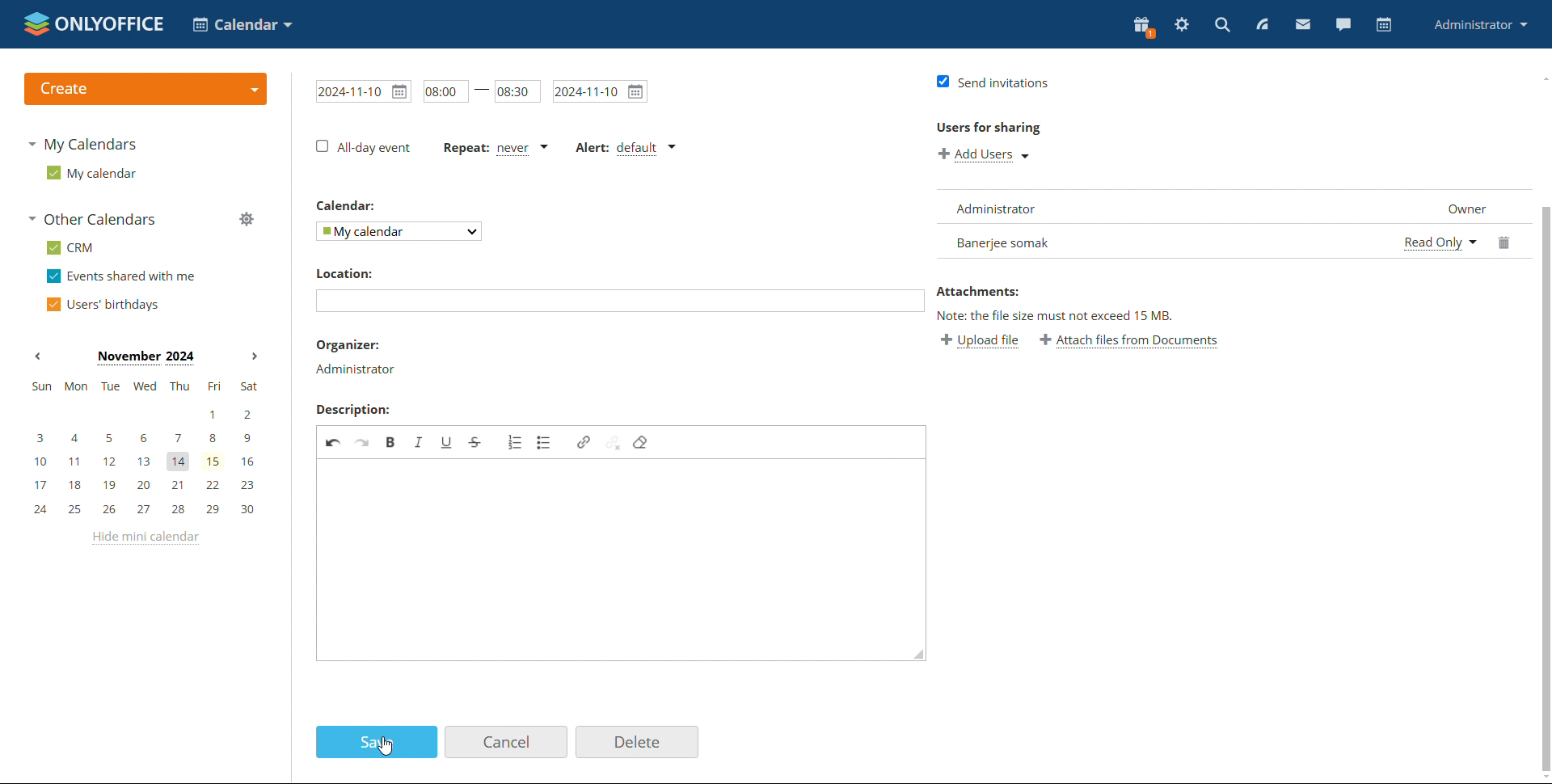  What do you see at coordinates (1222, 24) in the screenshot?
I see `search` at bounding box center [1222, 24].